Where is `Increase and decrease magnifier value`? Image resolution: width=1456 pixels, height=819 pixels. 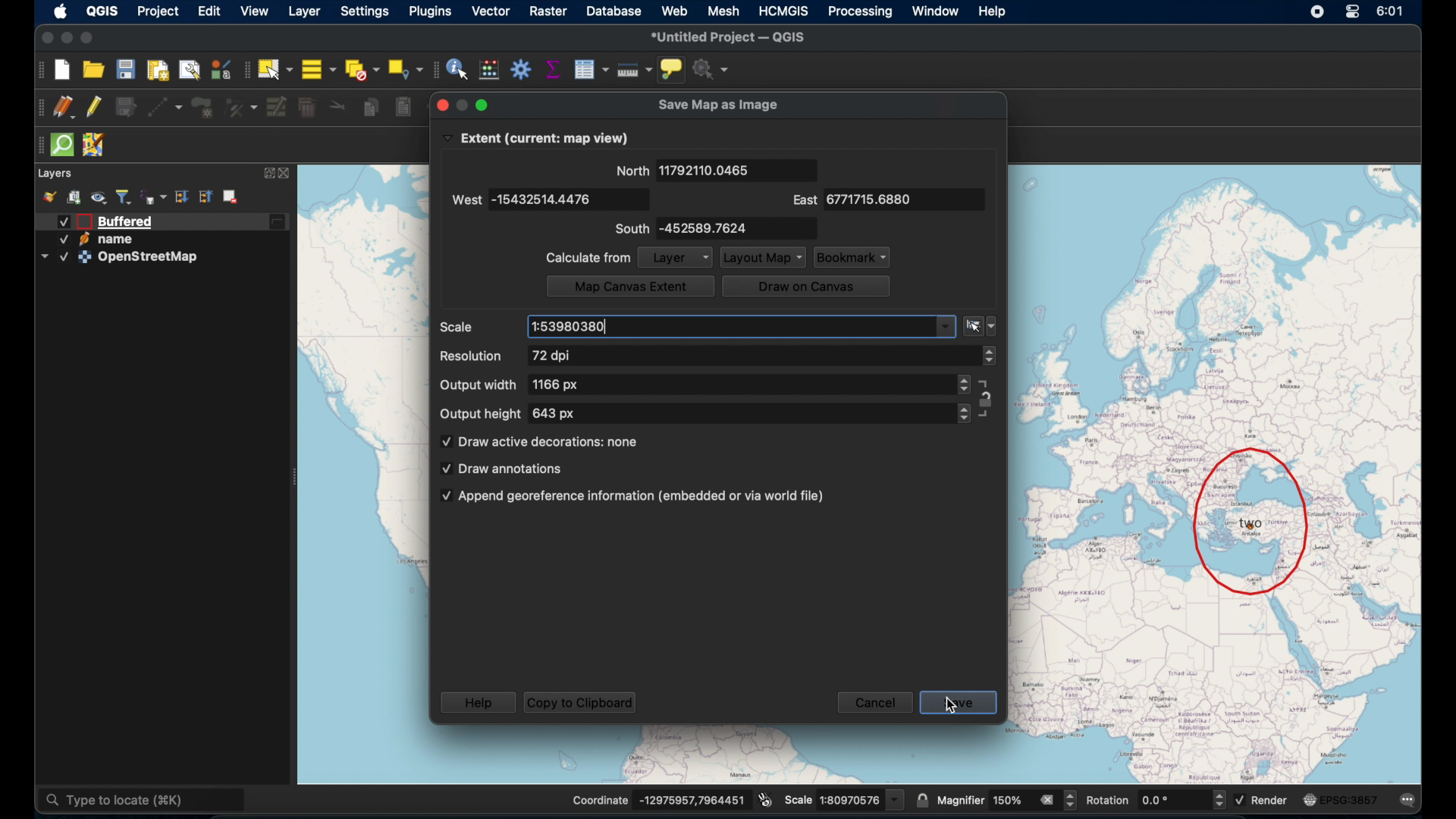
Increase and decrease magnifier value is located at coordinates (1071, 800).